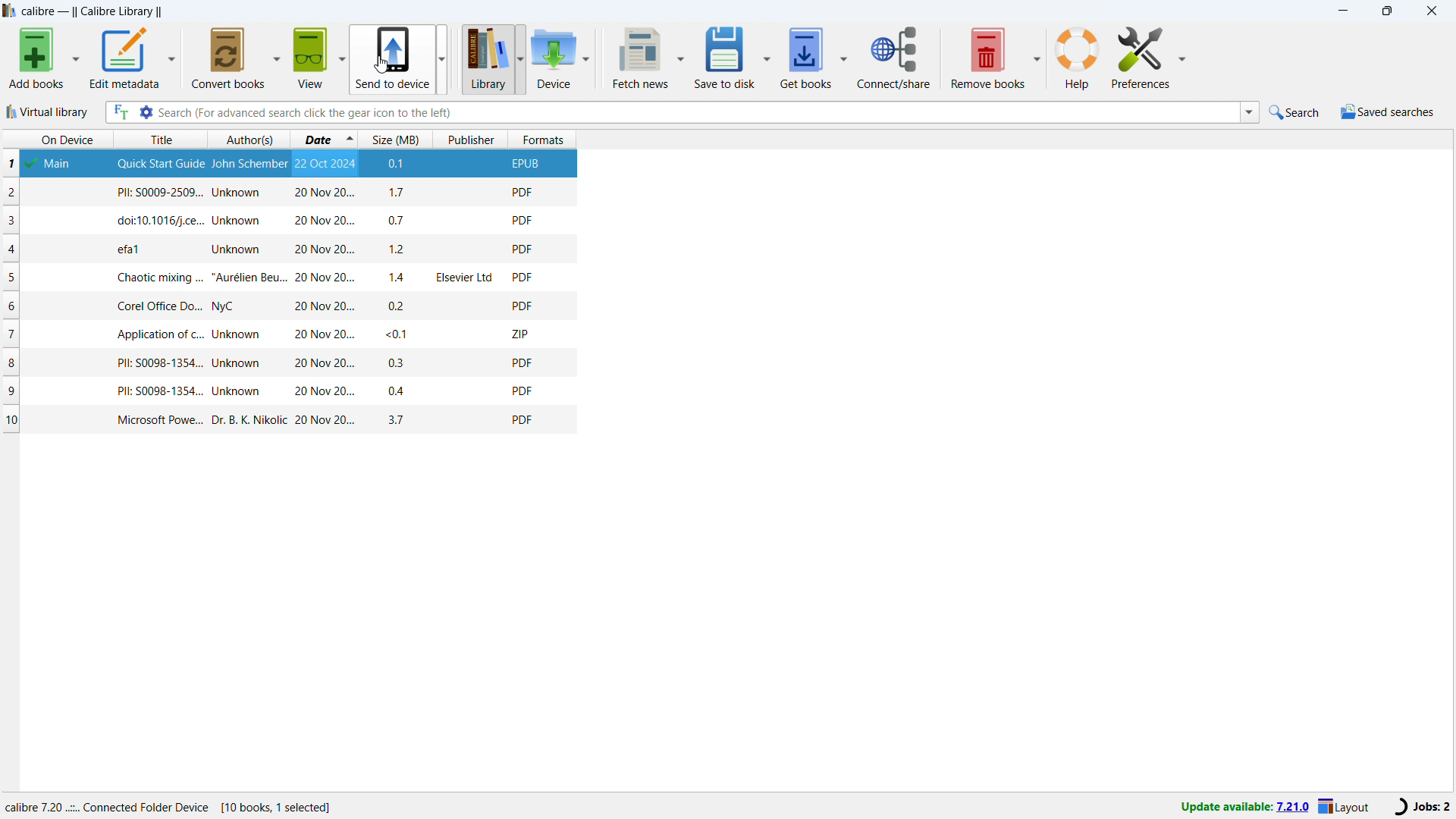 The width and height of the screenshot is (1456, 819). I want to click on search history, so click(1249, 111).